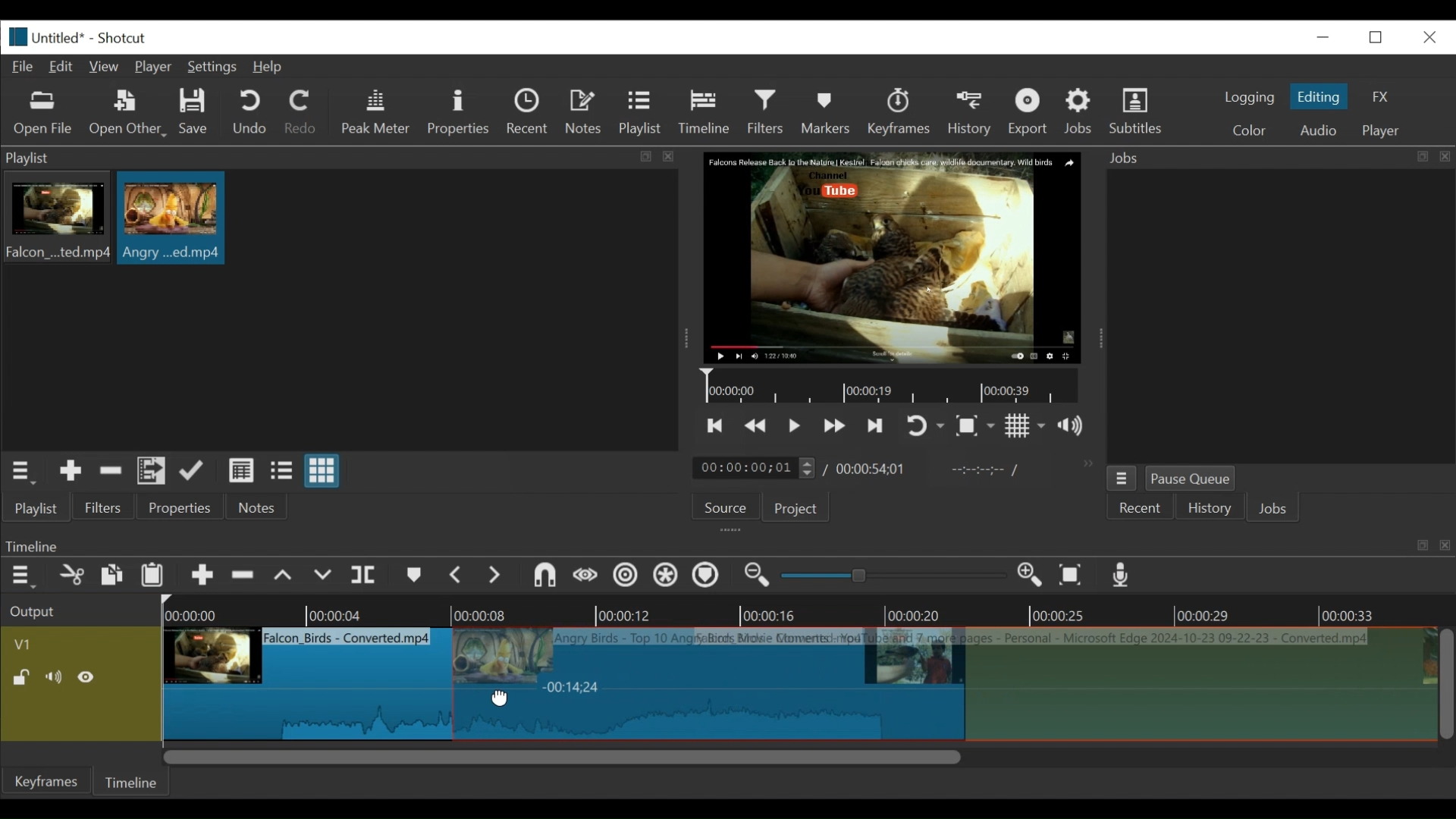  Describe the element at coordinates (320, 472) in the screenshot. I see `view as icons` at that location.